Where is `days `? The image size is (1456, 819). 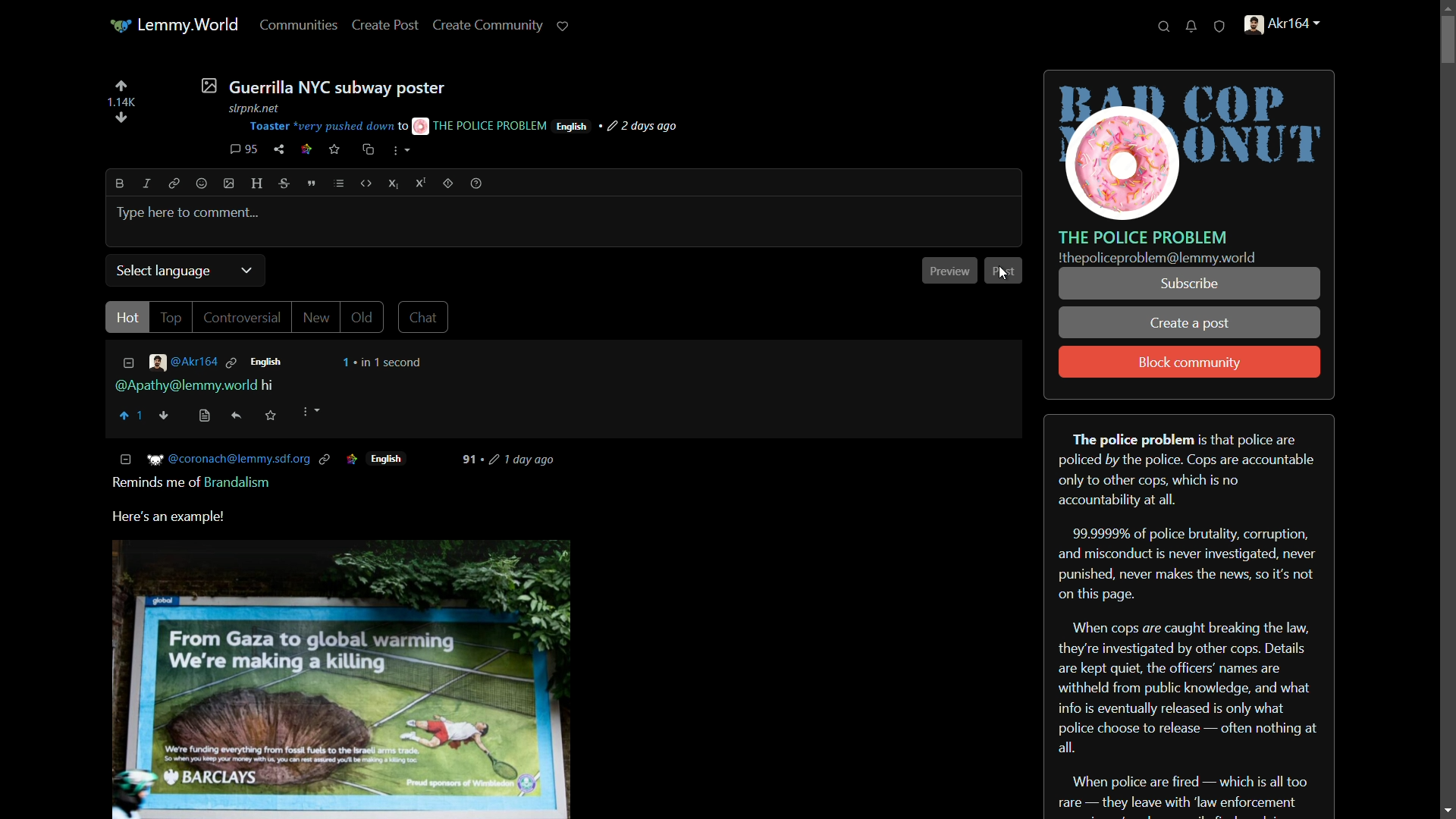
days  is located at coordinates (513, 457).